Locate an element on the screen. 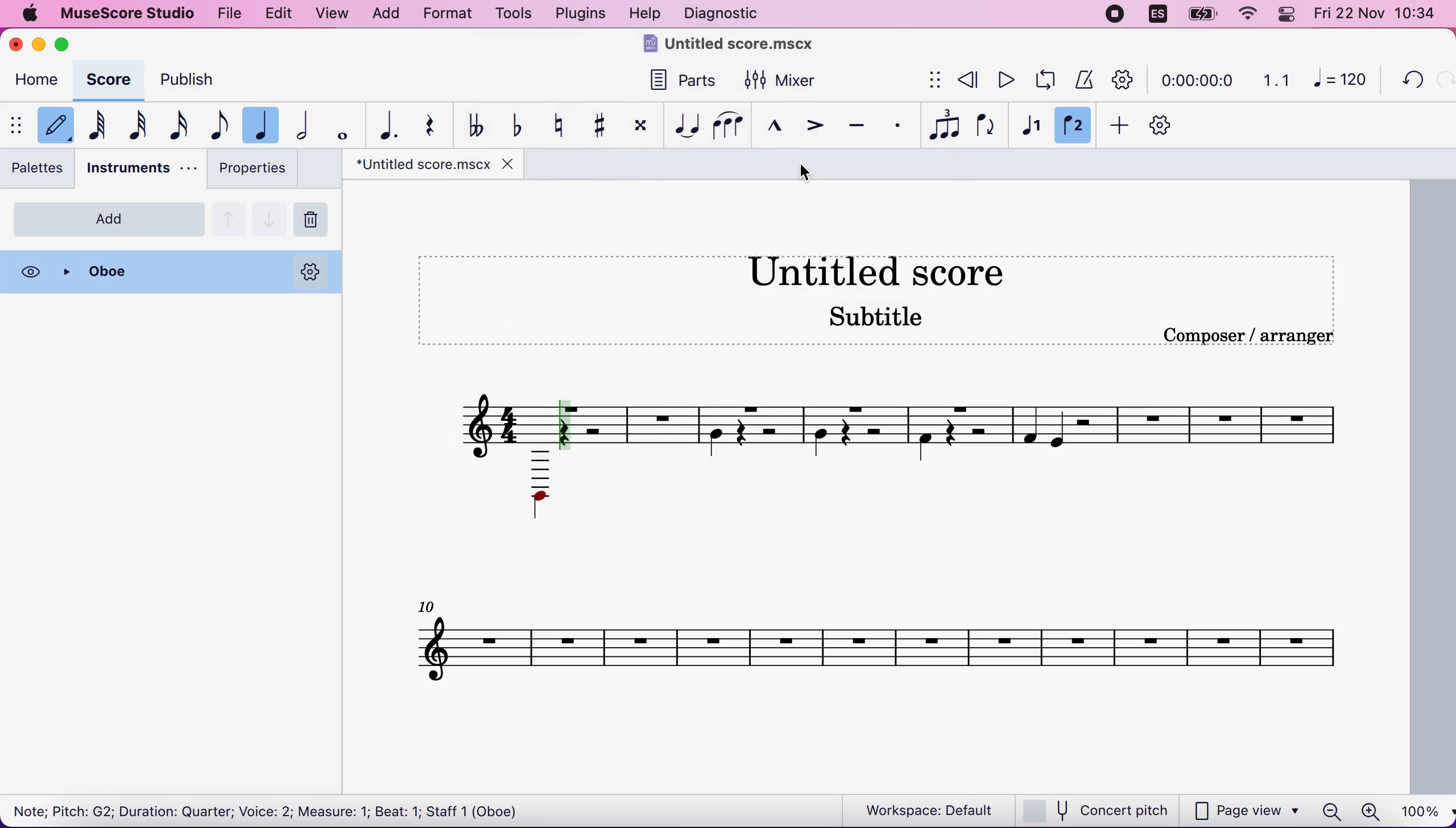 This screenshot has width=1456, height=828. add is located at coordinates (108, 220).